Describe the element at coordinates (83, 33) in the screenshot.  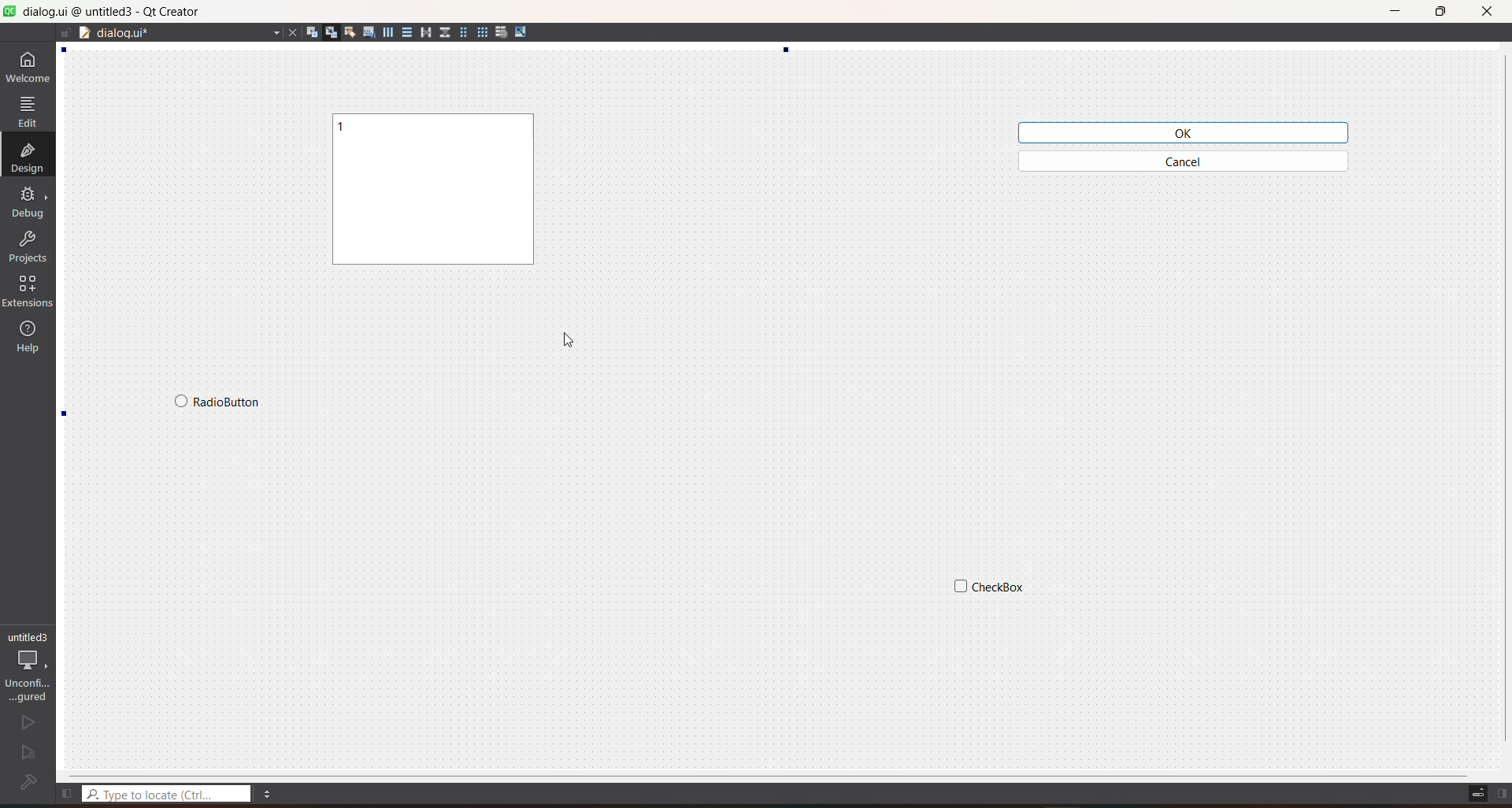
I see `document split` at that location.